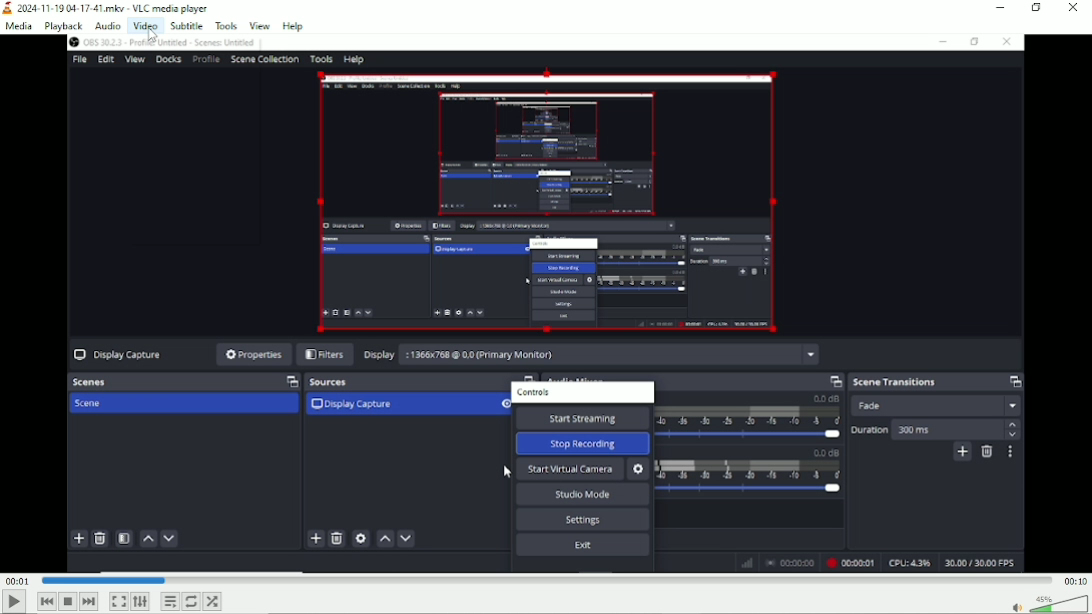 Image resolution: width=1092 pixels, height=614 pixels. I want to click on audio, so click(108, 26).